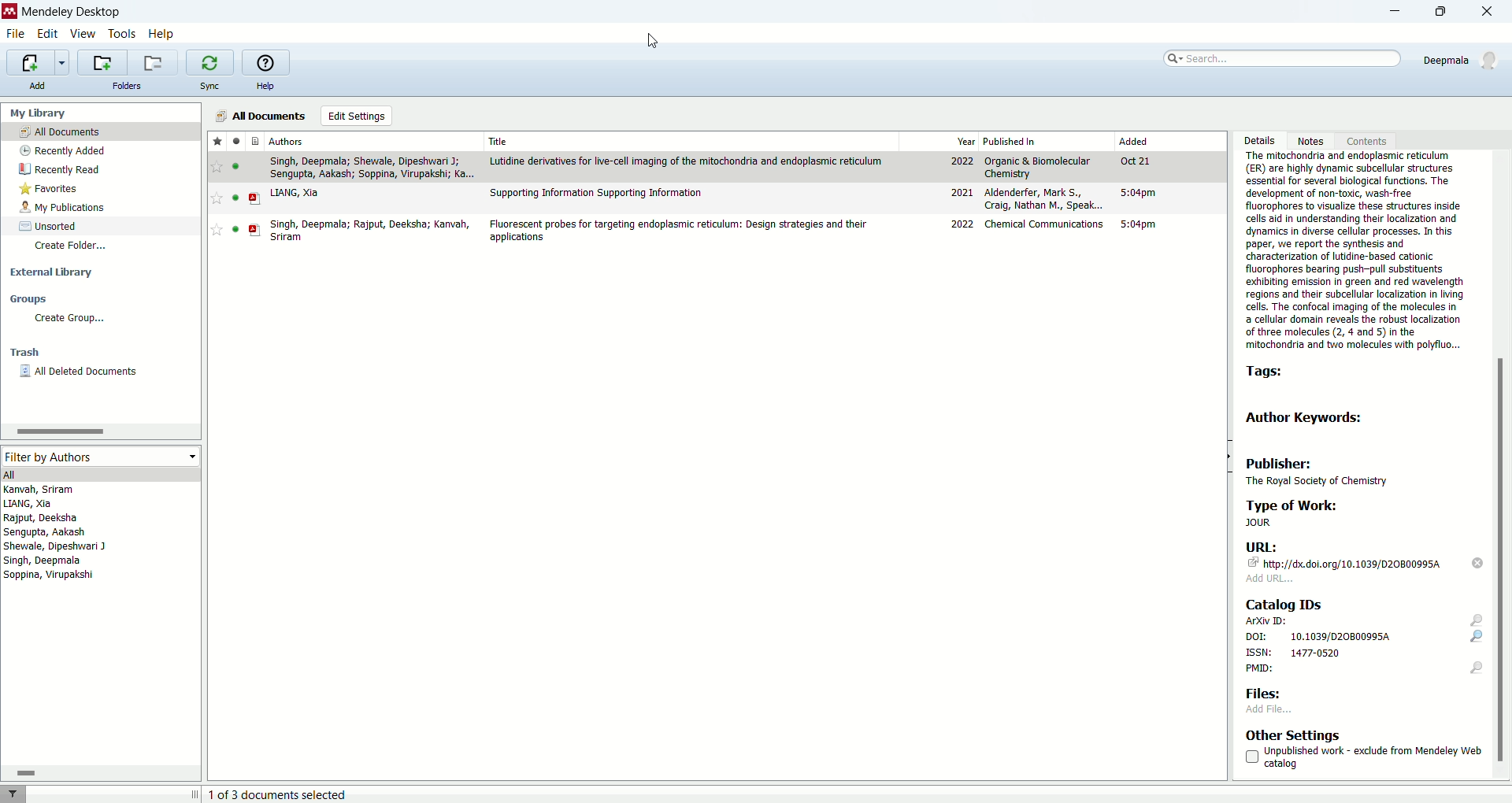  Describe the element at coordinates (1314, 140) in the screenshot. I see `notes` at that location.